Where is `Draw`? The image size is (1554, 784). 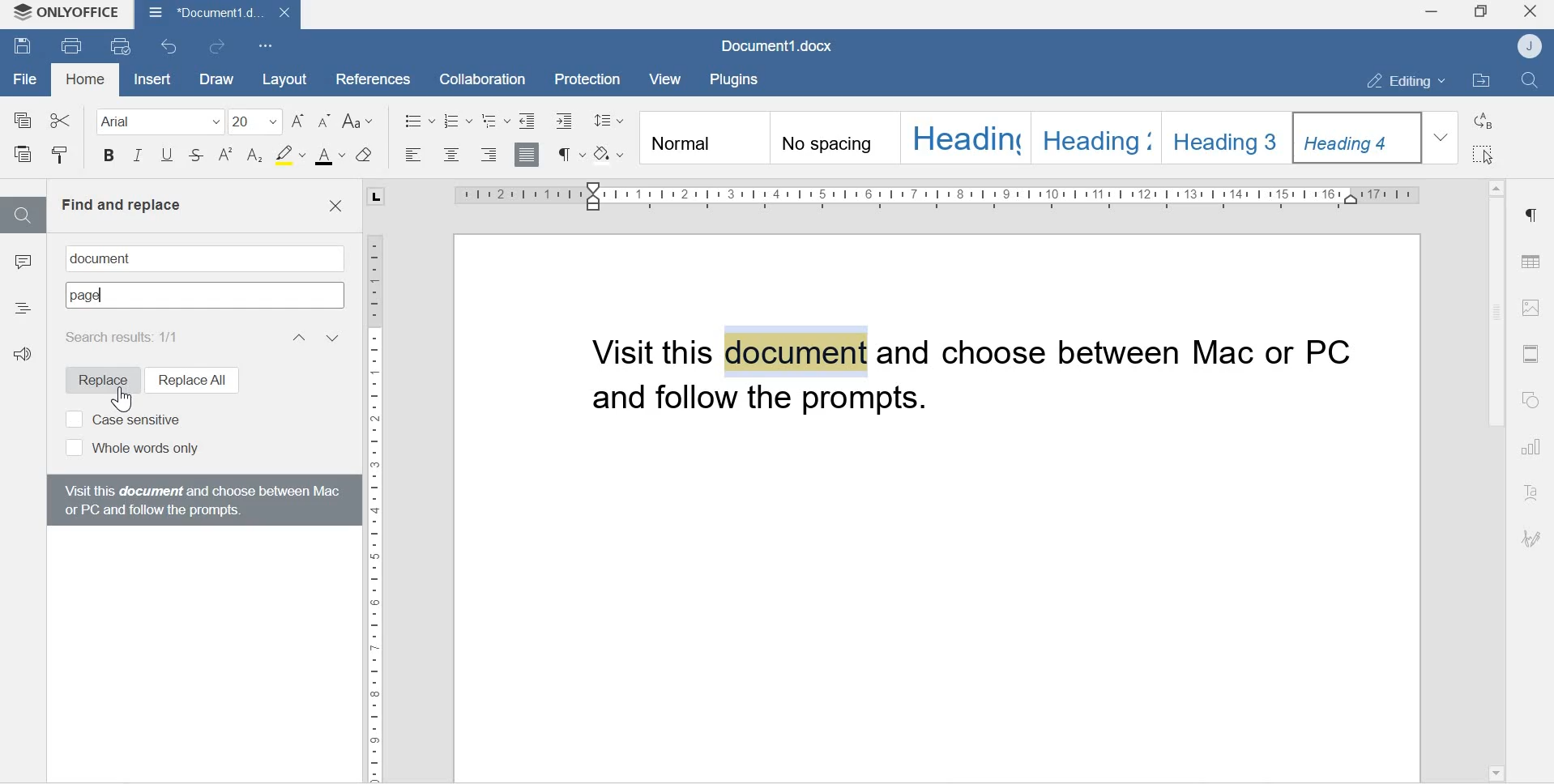 Draw is located at coordinates (214, 79).